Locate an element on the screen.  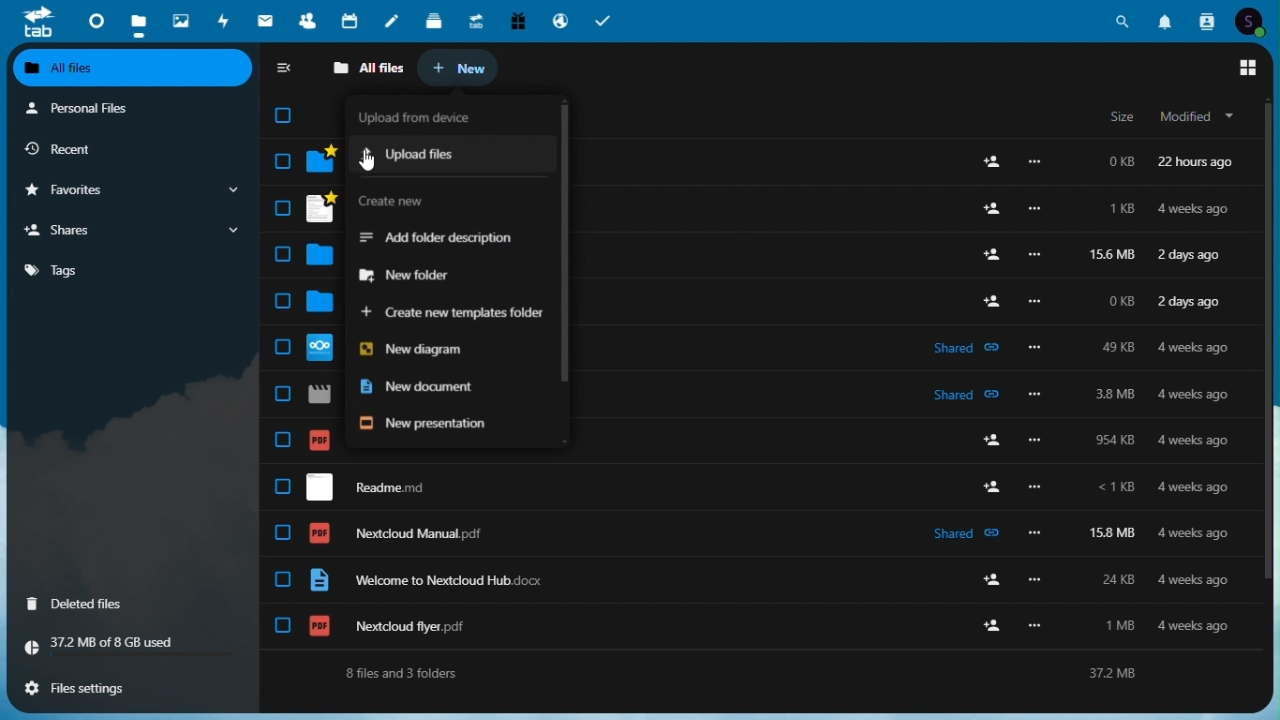
more options is located at coordinates (1036, 487).